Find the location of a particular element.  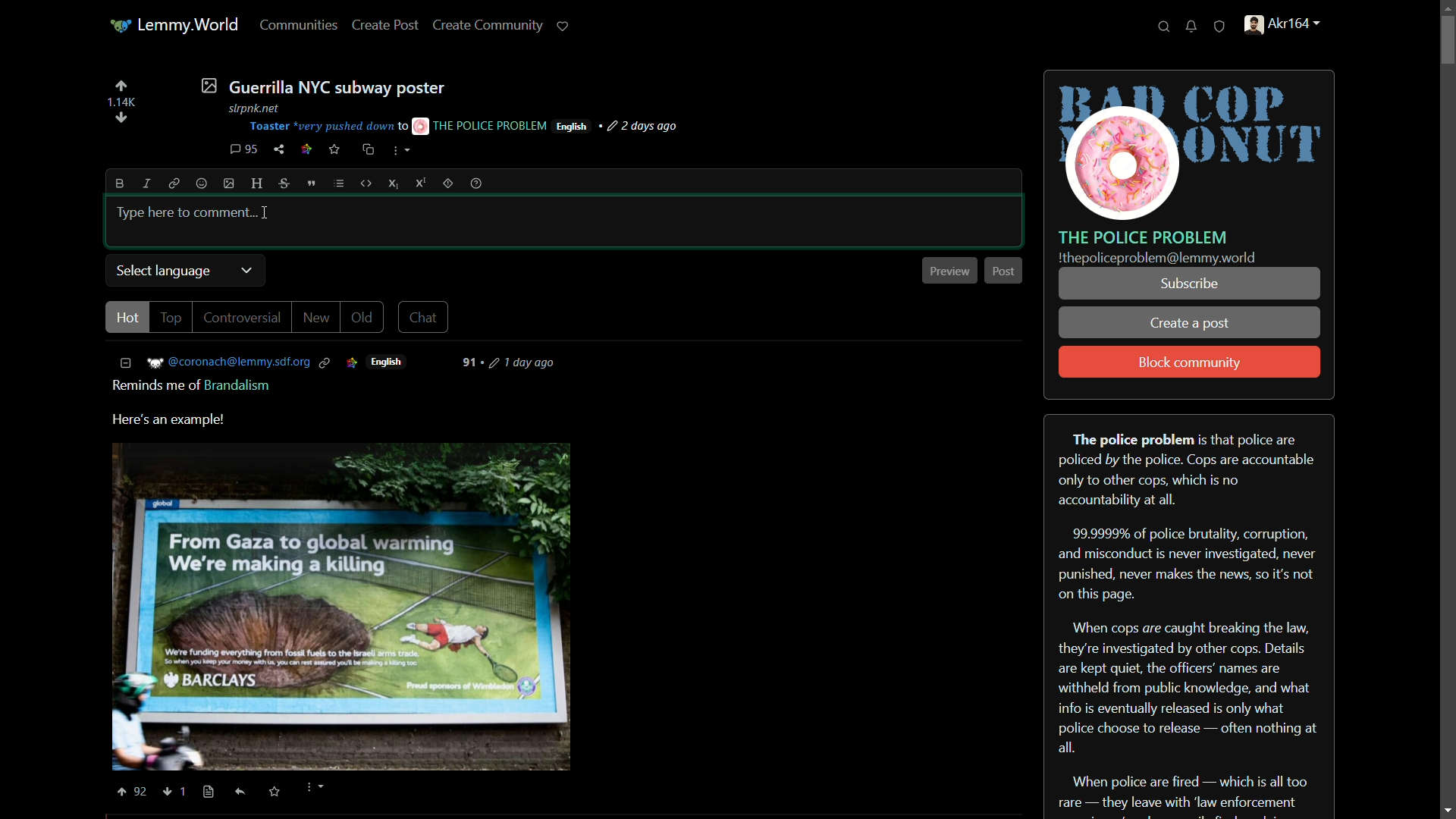

here's an example is located at coordinates (170, 420).